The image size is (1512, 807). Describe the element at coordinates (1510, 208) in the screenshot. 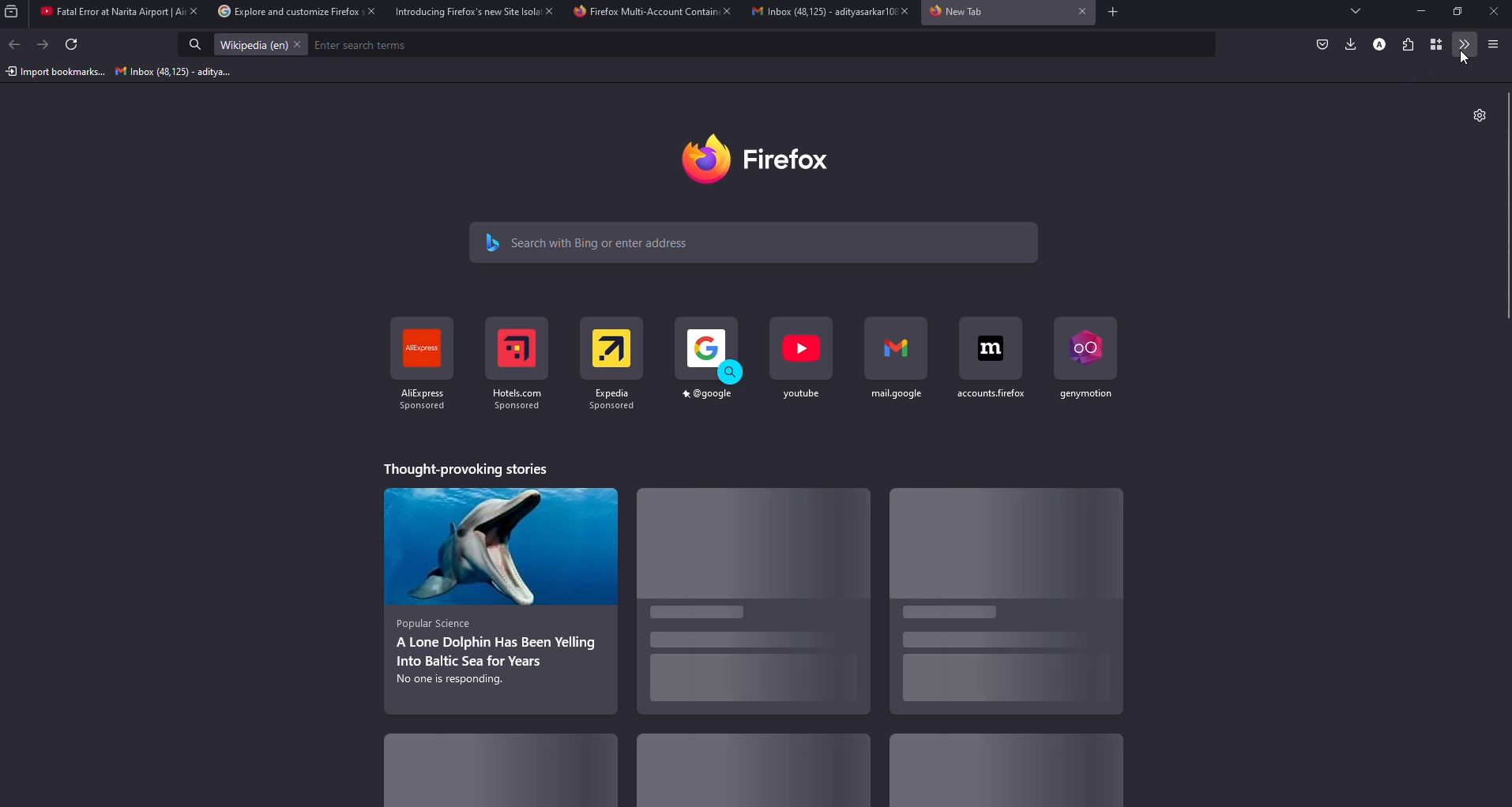

I see `scroll bar` at that location.